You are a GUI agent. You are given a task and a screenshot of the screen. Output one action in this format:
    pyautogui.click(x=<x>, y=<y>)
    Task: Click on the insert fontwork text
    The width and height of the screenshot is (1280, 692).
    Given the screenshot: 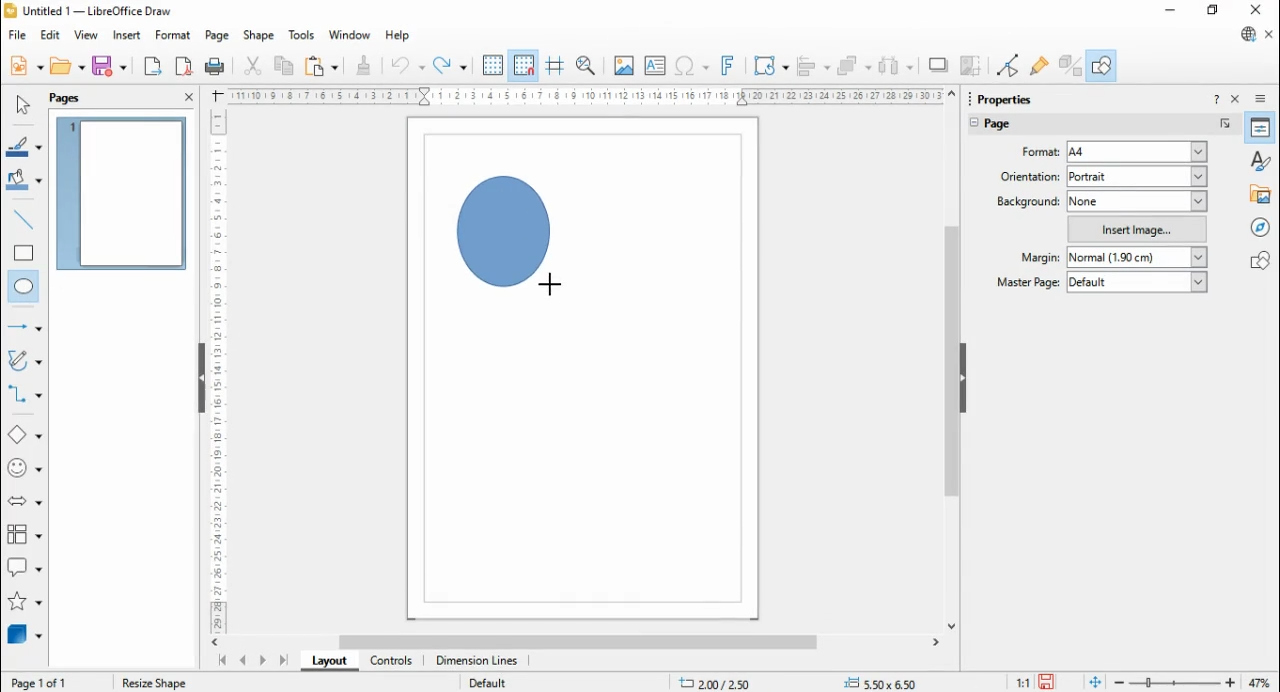 What is the action you would take?
    pyautogui.click(x=728, y=65)
    